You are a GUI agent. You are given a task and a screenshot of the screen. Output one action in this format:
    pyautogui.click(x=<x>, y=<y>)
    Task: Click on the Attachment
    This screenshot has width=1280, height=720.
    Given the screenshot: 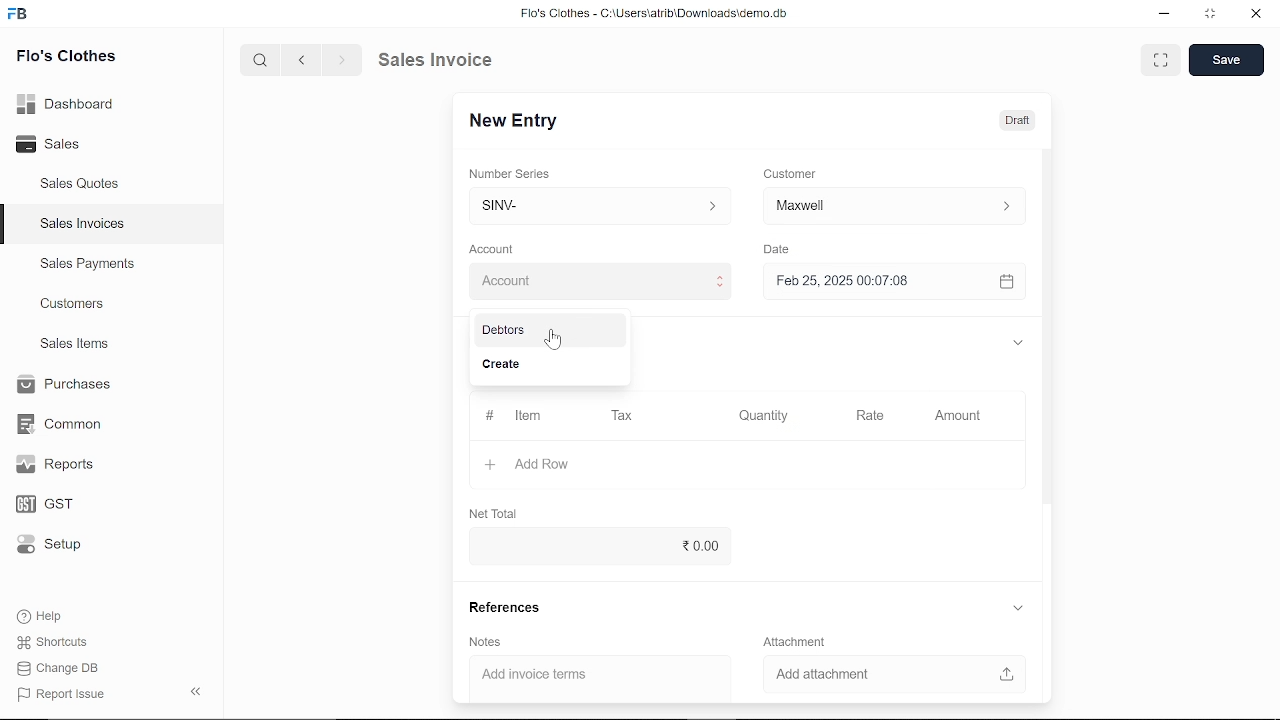 What is the action you would take?
    pyautogui.click(x=798, y=642)
    